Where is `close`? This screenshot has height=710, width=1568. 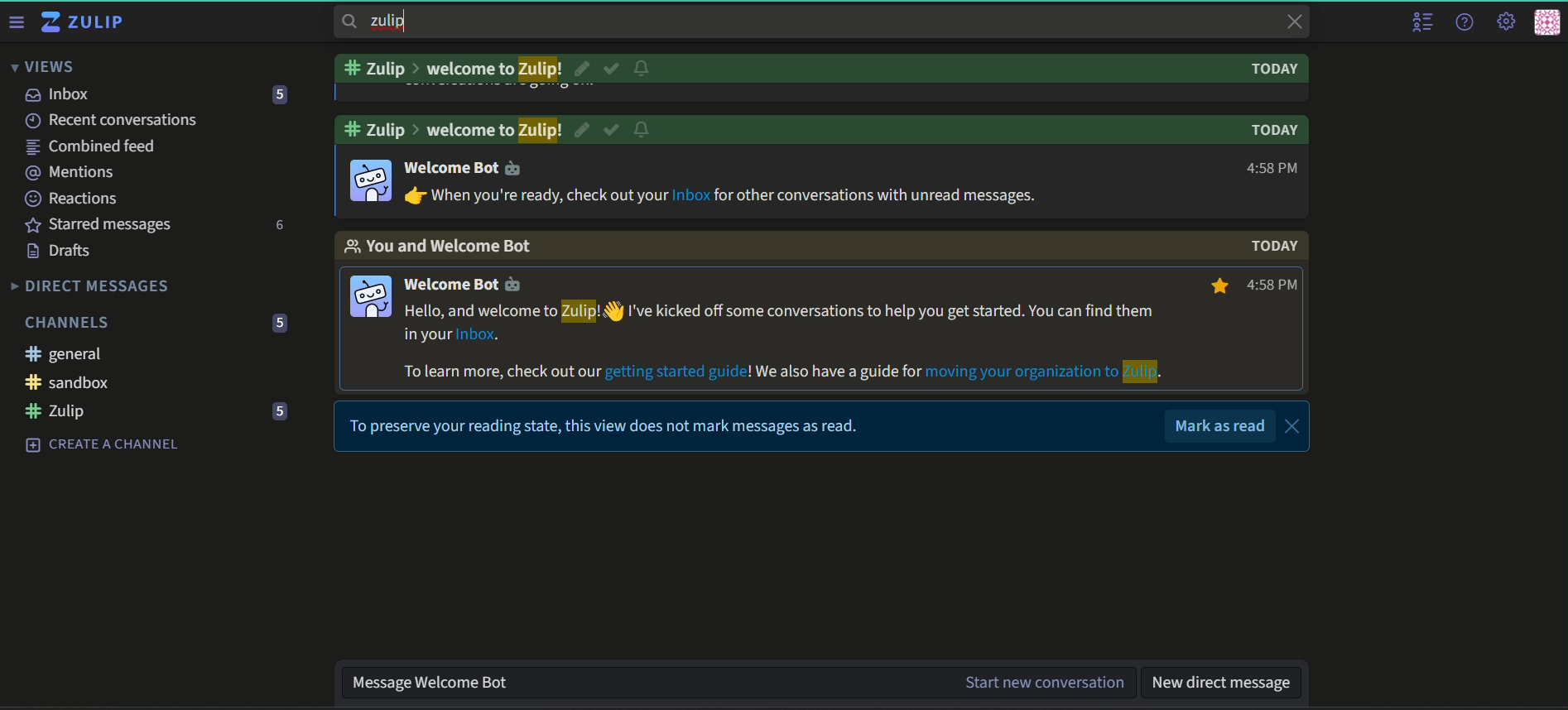 close is located at coordinates (1295, 425).